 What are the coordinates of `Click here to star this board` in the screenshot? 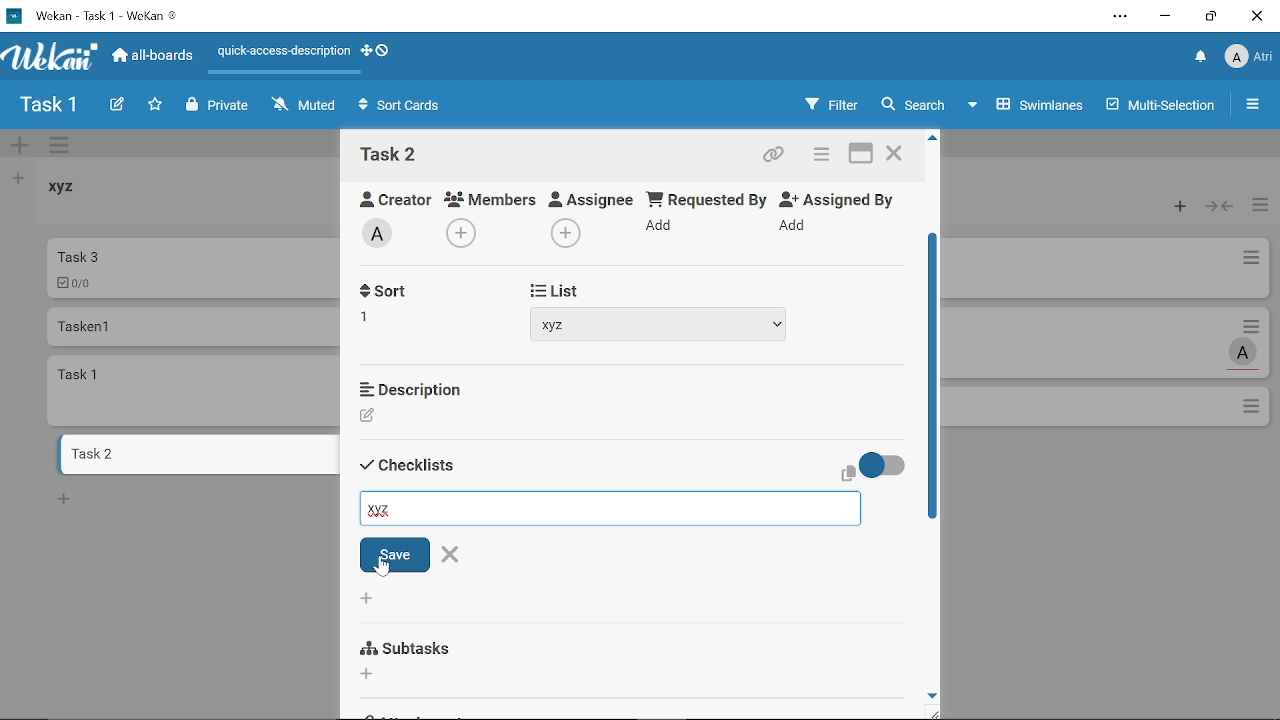 It's located at (155, 106).